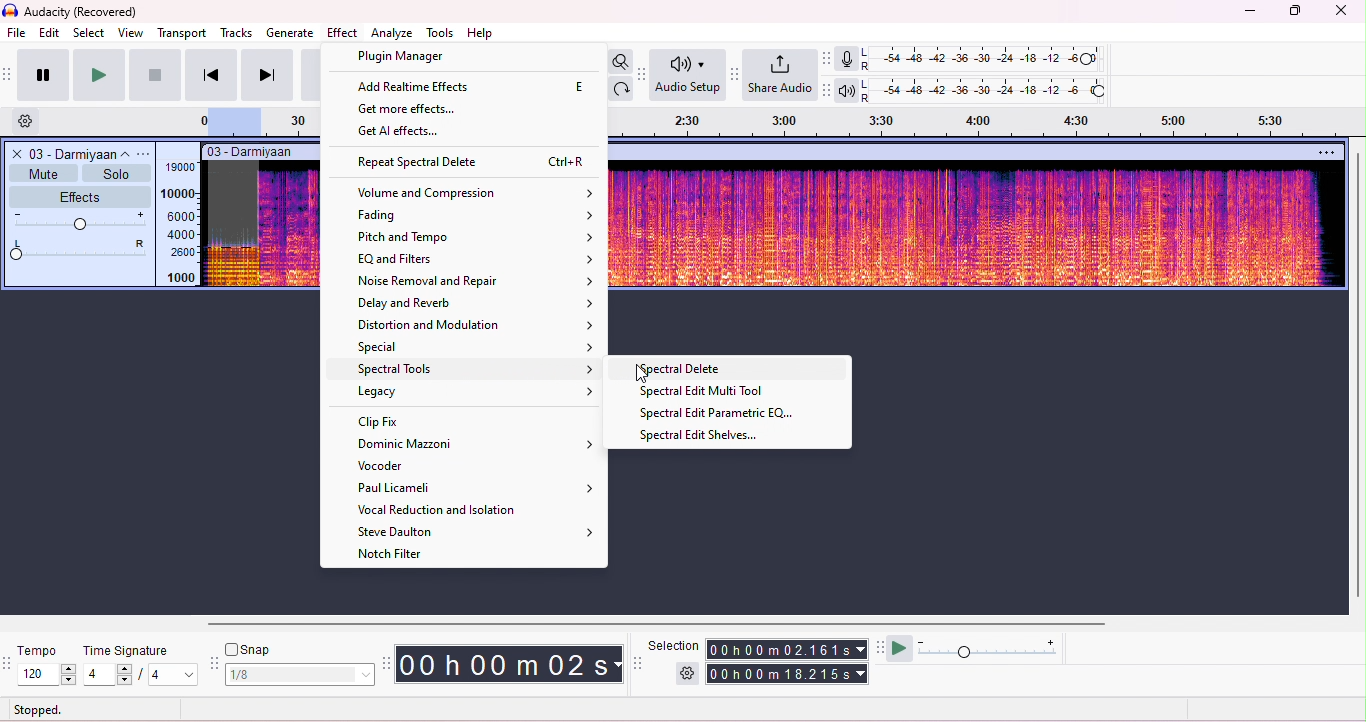  I want to click on next, so click(267, 75).